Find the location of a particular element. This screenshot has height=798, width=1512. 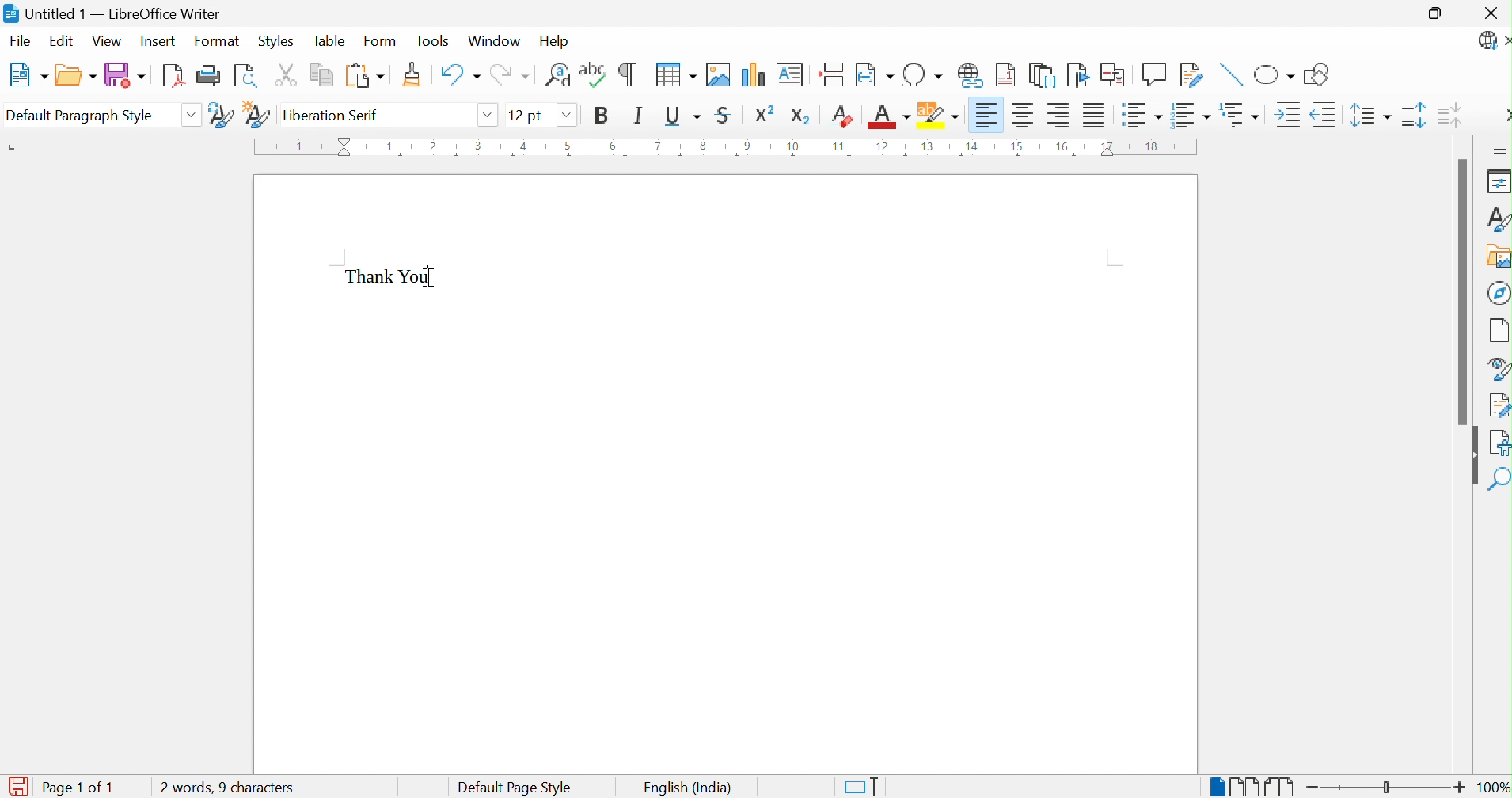

Ibeam Cursor is located at coordinates (435, 277).